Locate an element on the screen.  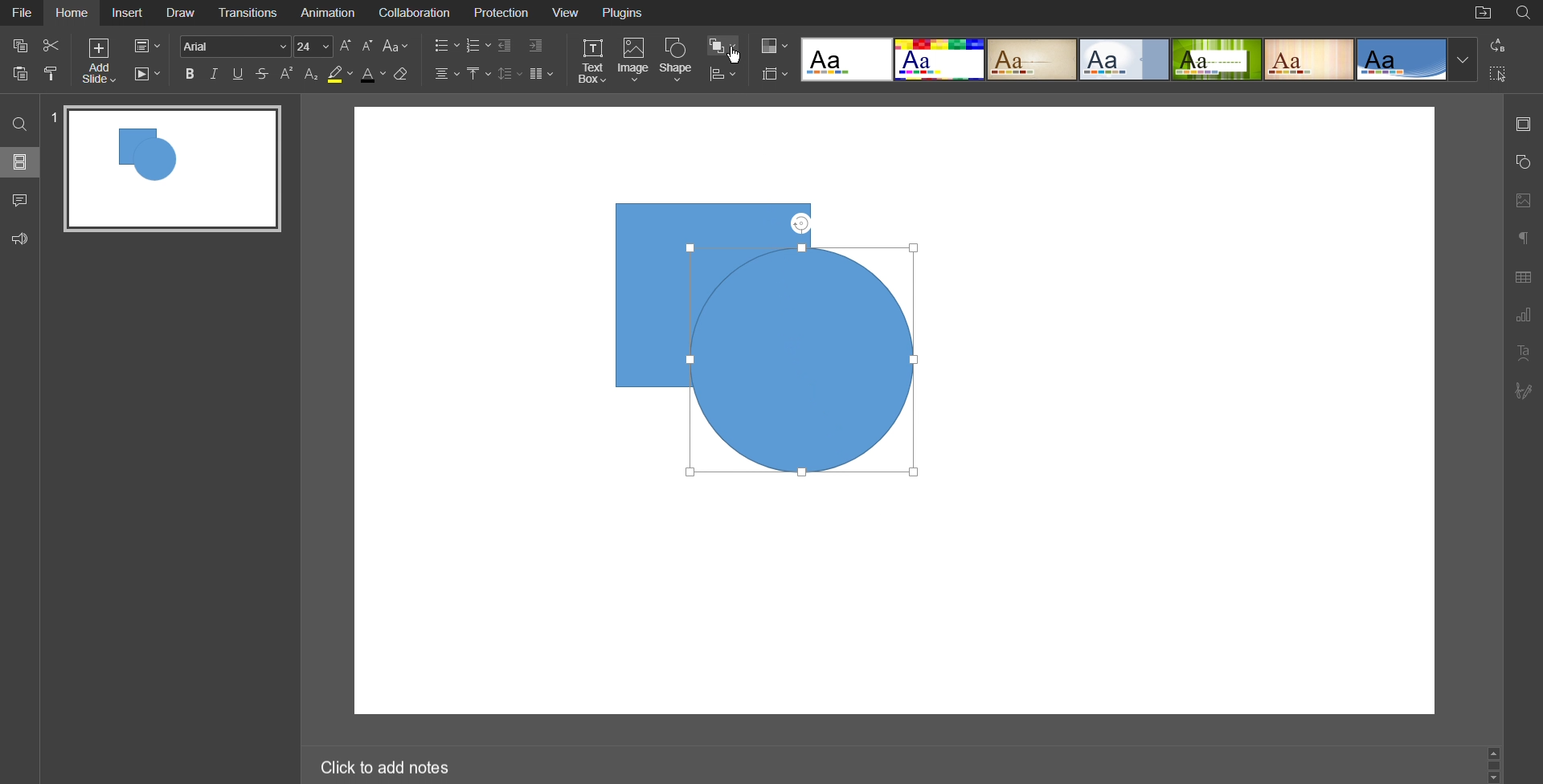
Scroll Bar is located at coordinates (1495, 766).